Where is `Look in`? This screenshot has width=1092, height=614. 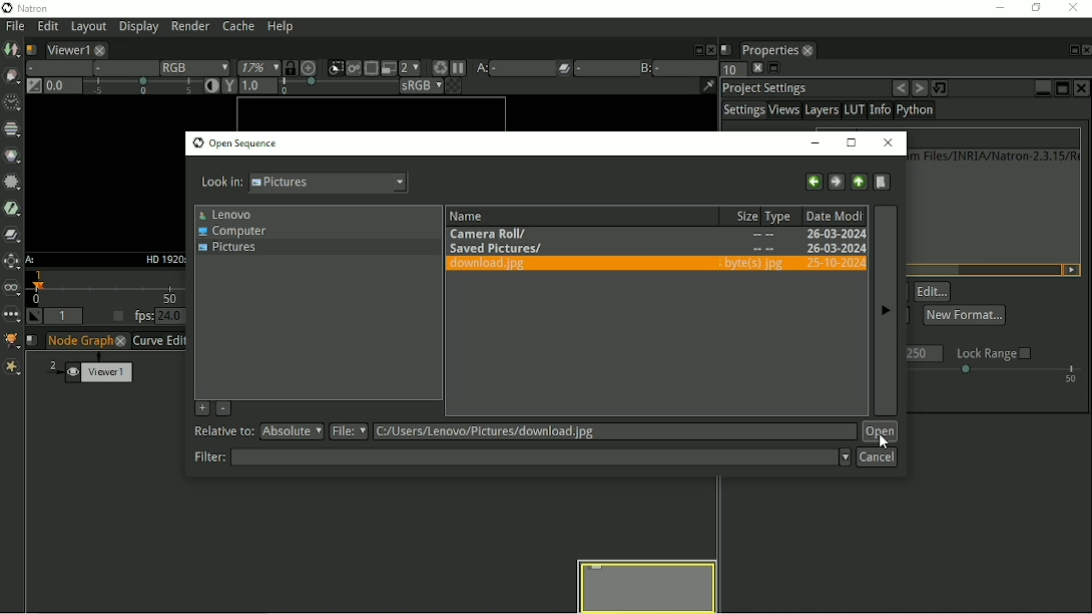
Look in is located at coordinates (304, 184).